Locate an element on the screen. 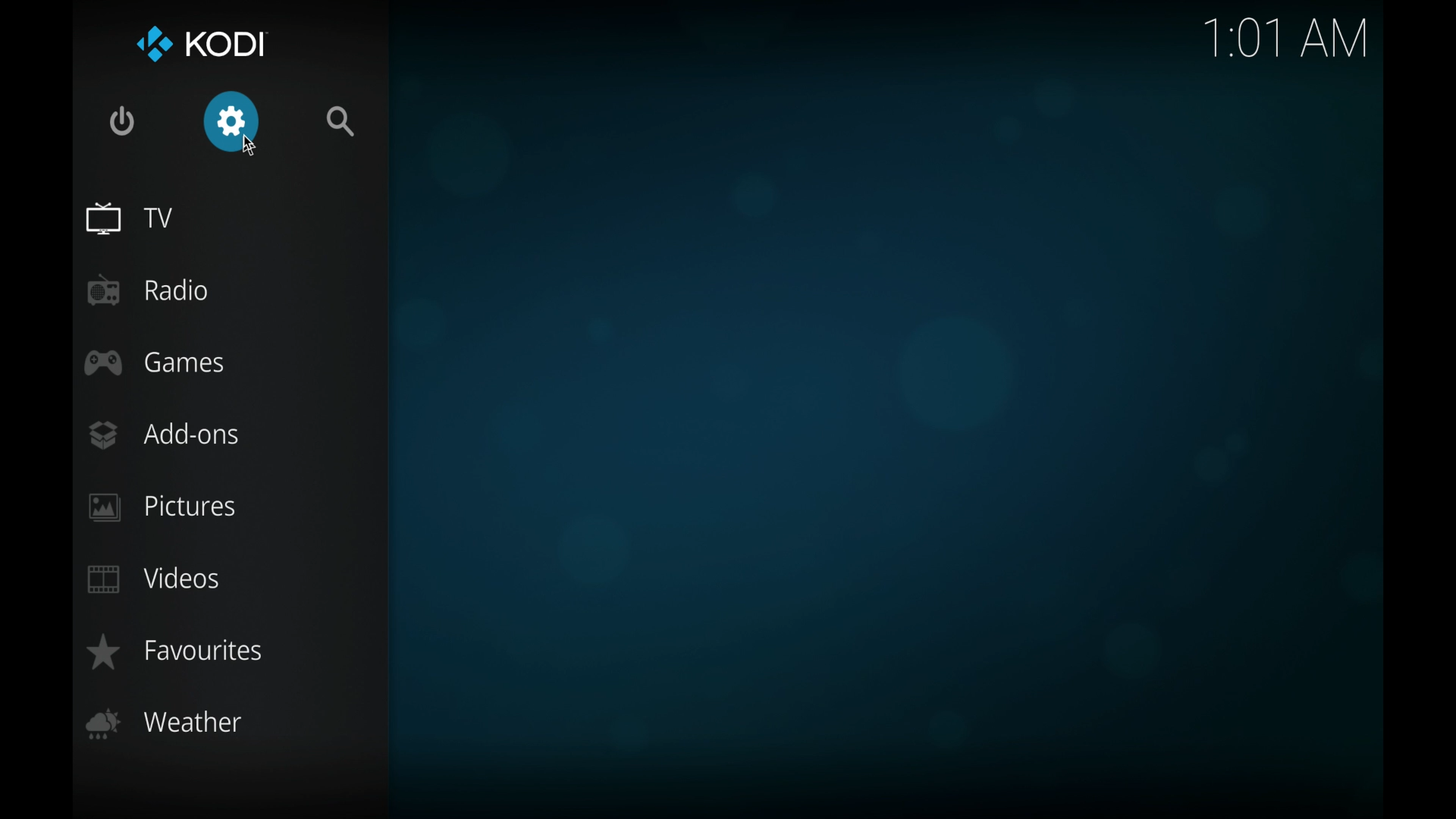 This screenshot has height=819, width=1456. quit kodi is located at coordinates (122, 121).